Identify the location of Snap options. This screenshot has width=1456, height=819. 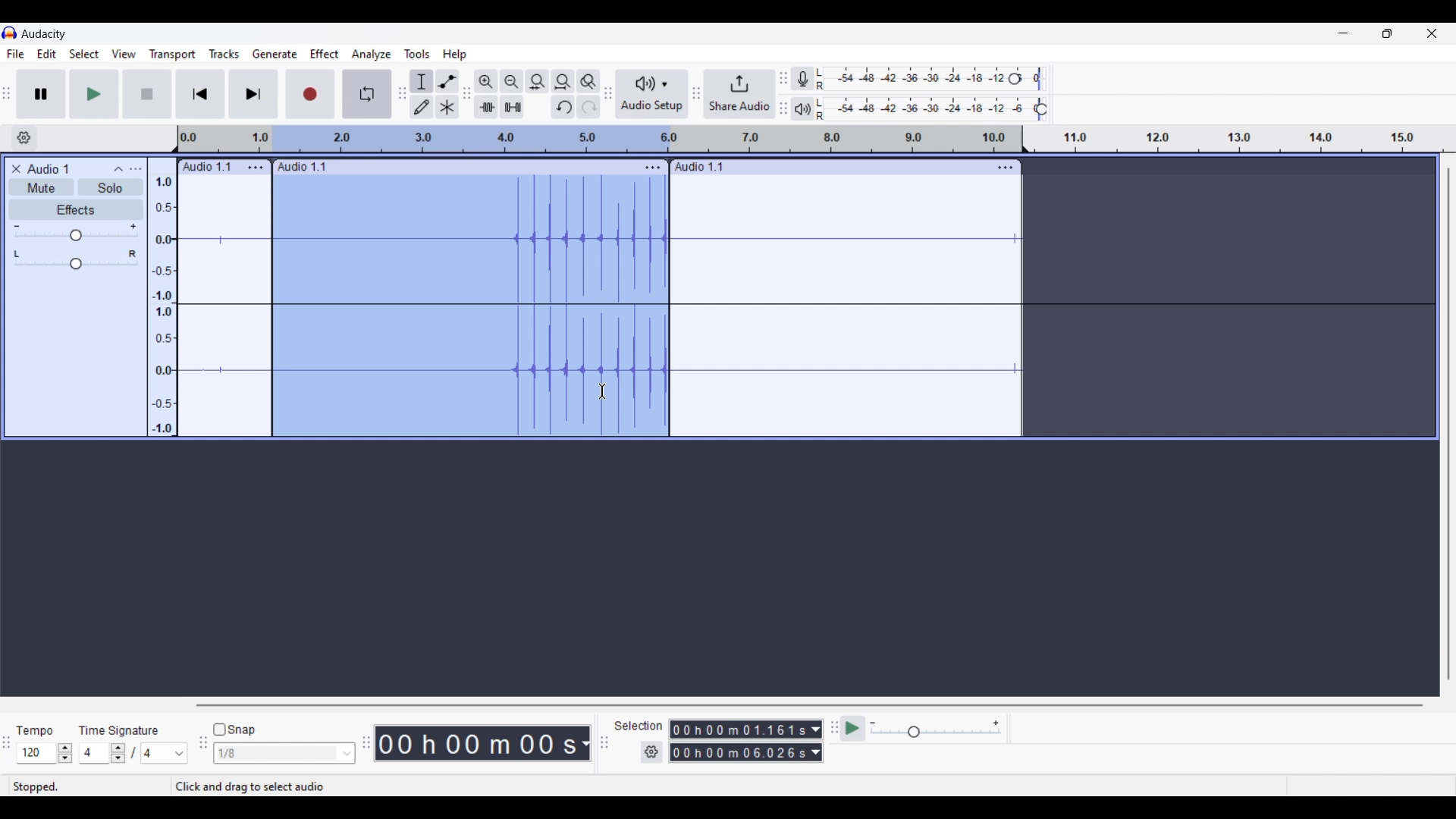
(347, 754).